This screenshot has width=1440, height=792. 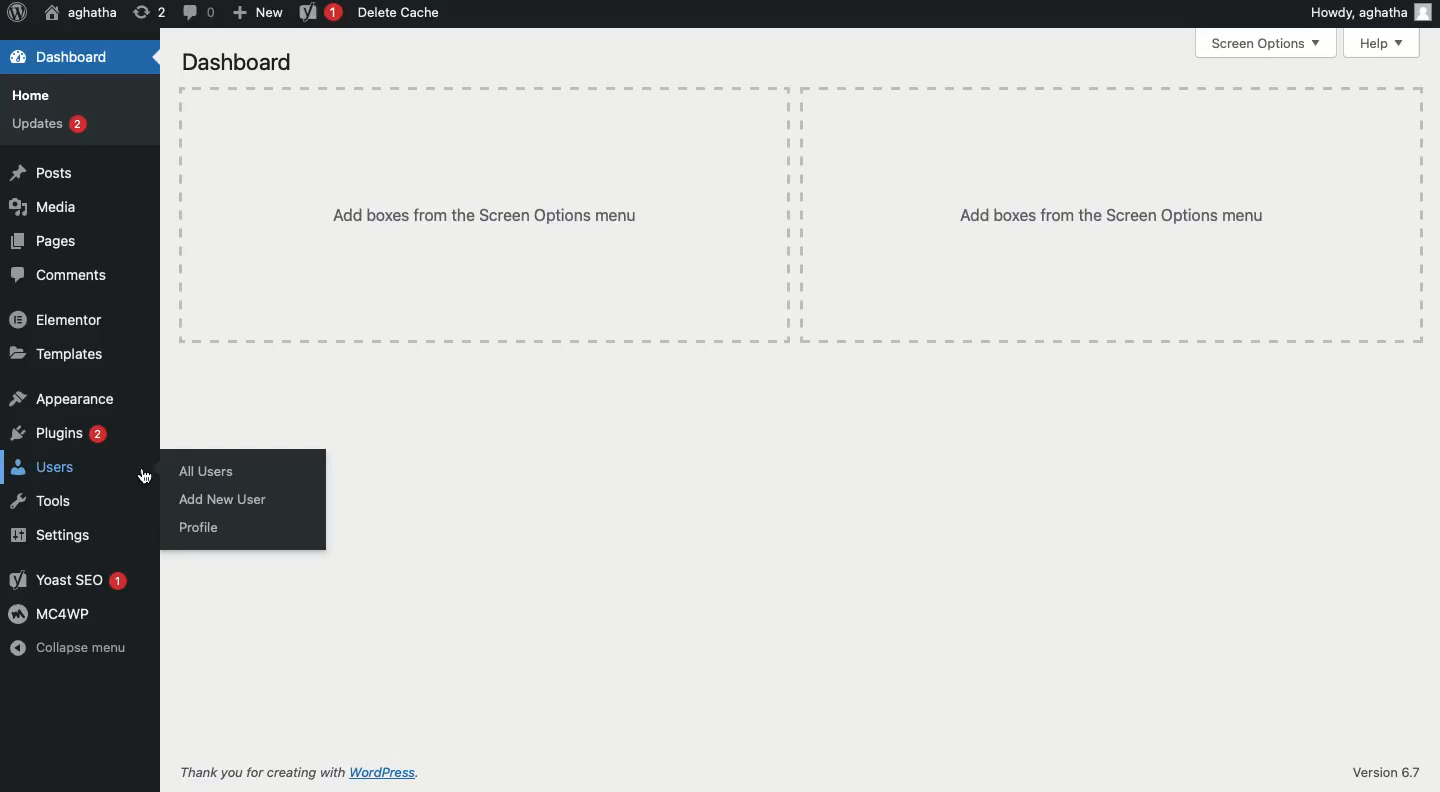 What do you see at coordinates (257, 11) in the screenshot?
I see `New` at bounding box center [257, 11].